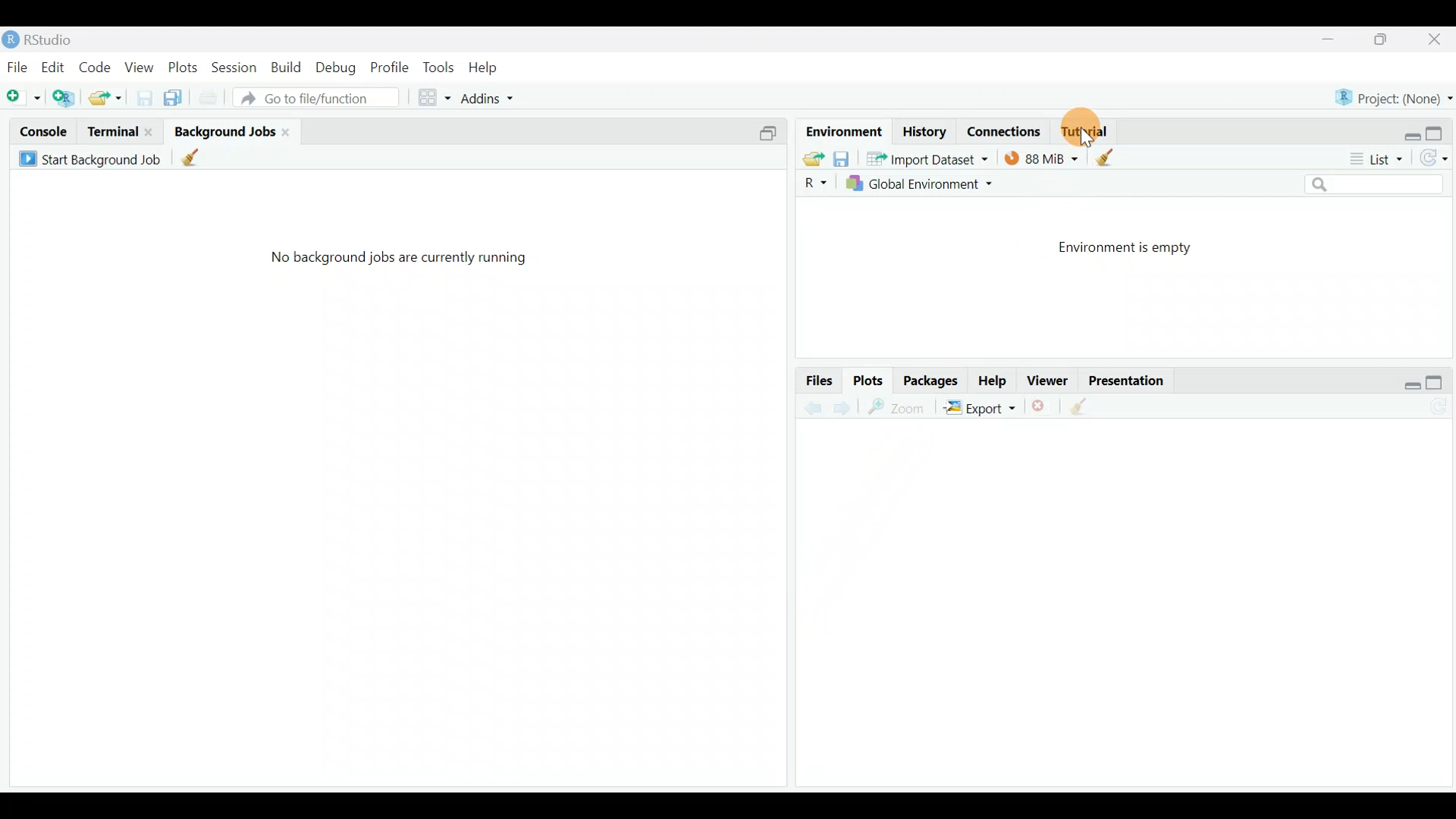 This screenshot has height=819, width=1456. I want to click on Tools, so click(438, 66).